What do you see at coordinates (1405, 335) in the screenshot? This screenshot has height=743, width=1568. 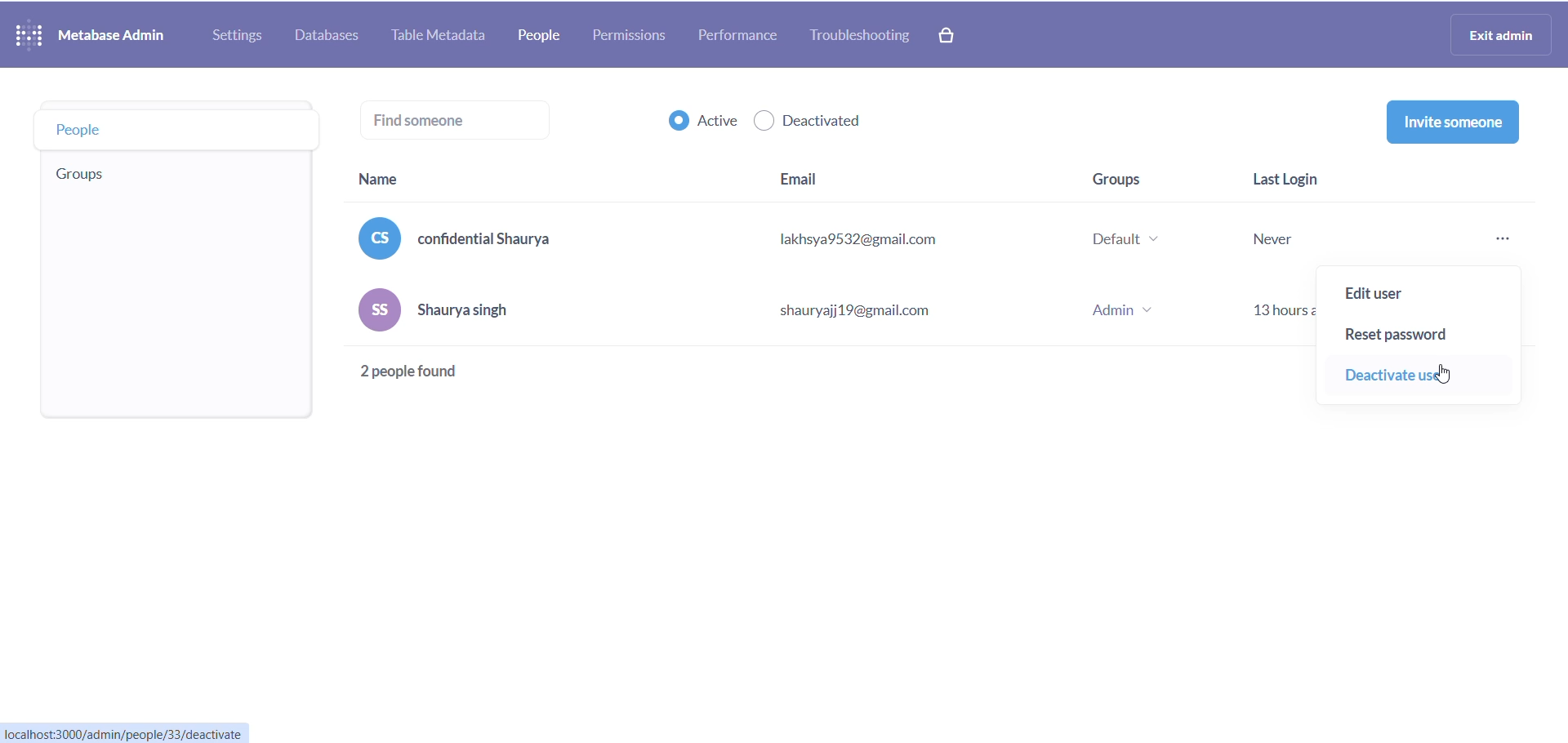 I see `reset password` at bounding box center [1405, 335].